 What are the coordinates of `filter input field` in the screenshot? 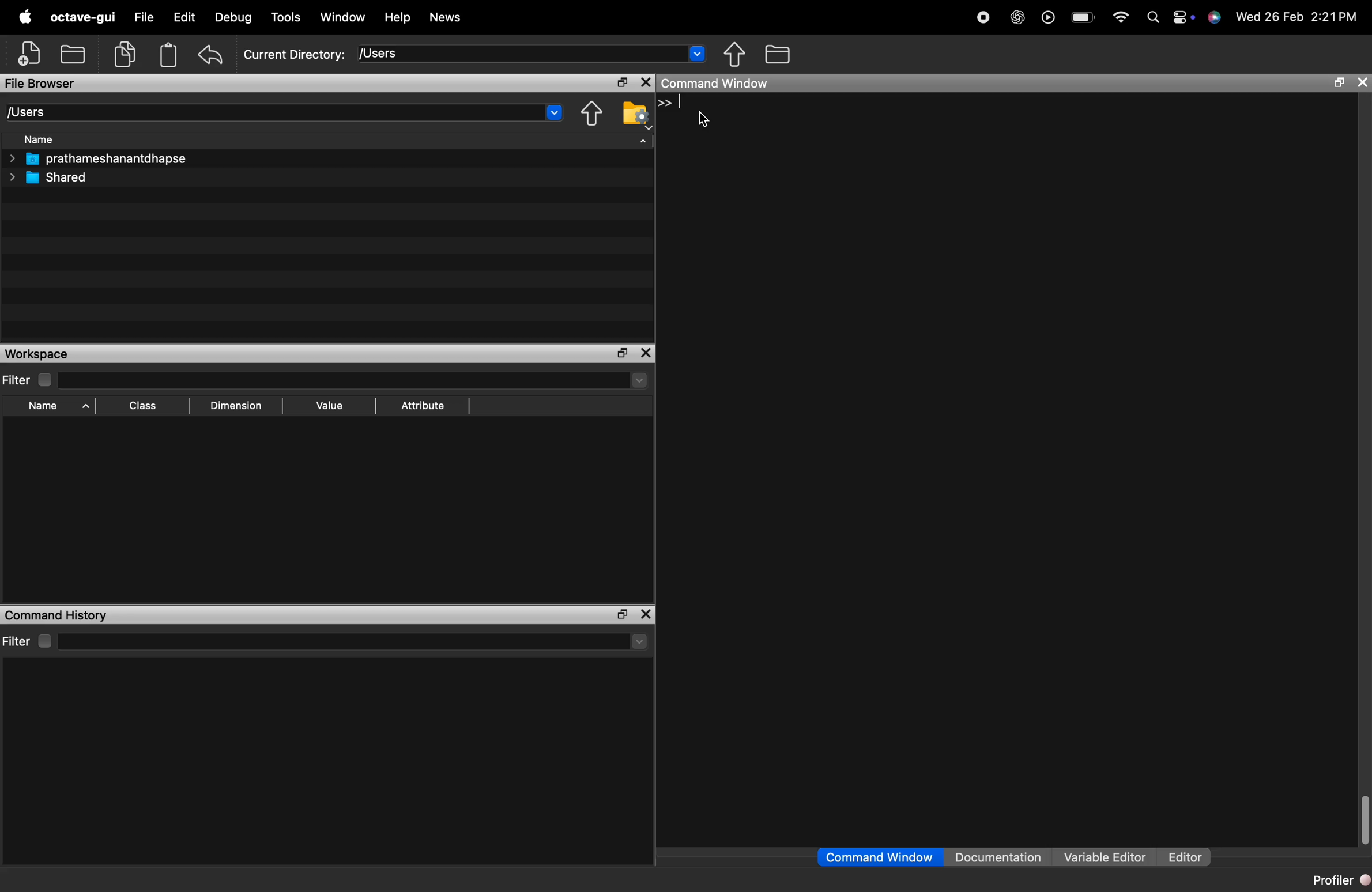 It's located at (342, 642).